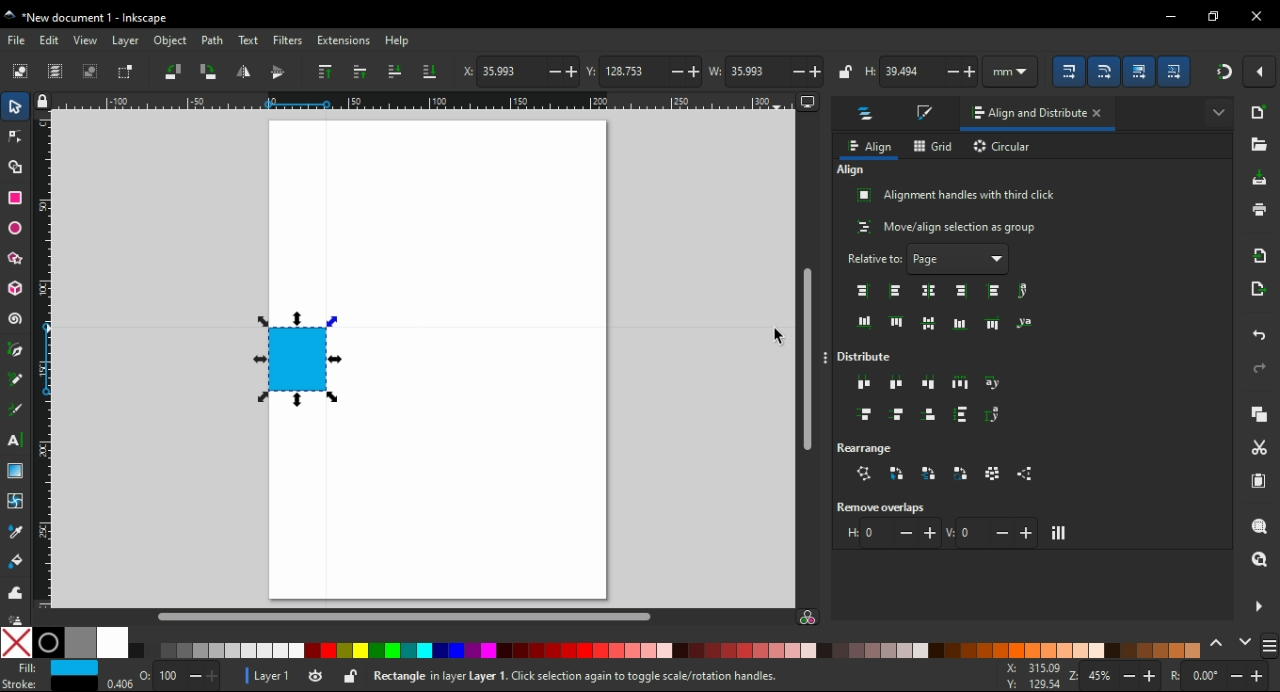  Describe the element at coordinates (16, 138) in the screenshot. I see `node tool` at that location.